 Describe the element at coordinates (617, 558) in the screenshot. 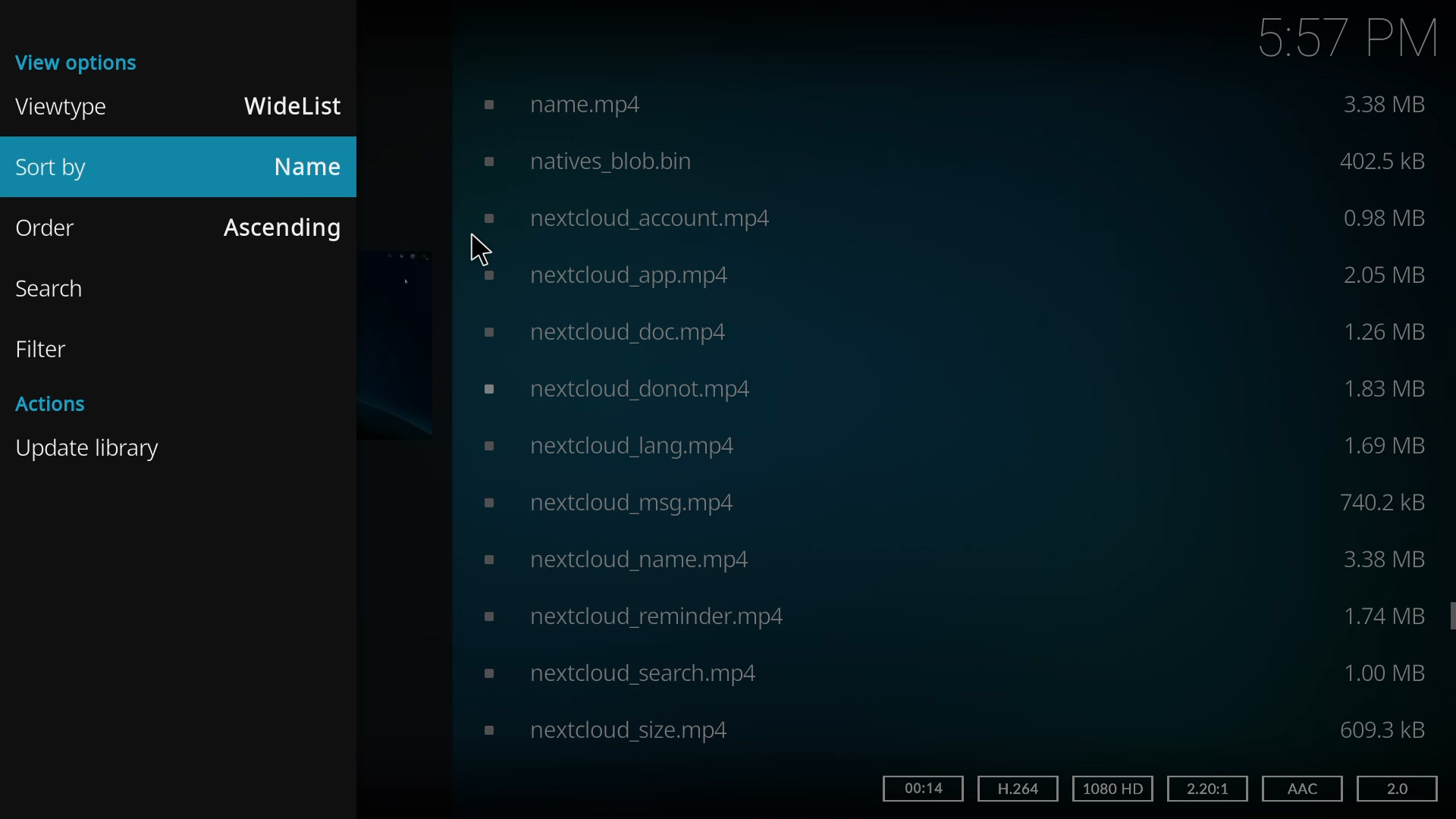

I see `video` at that location.